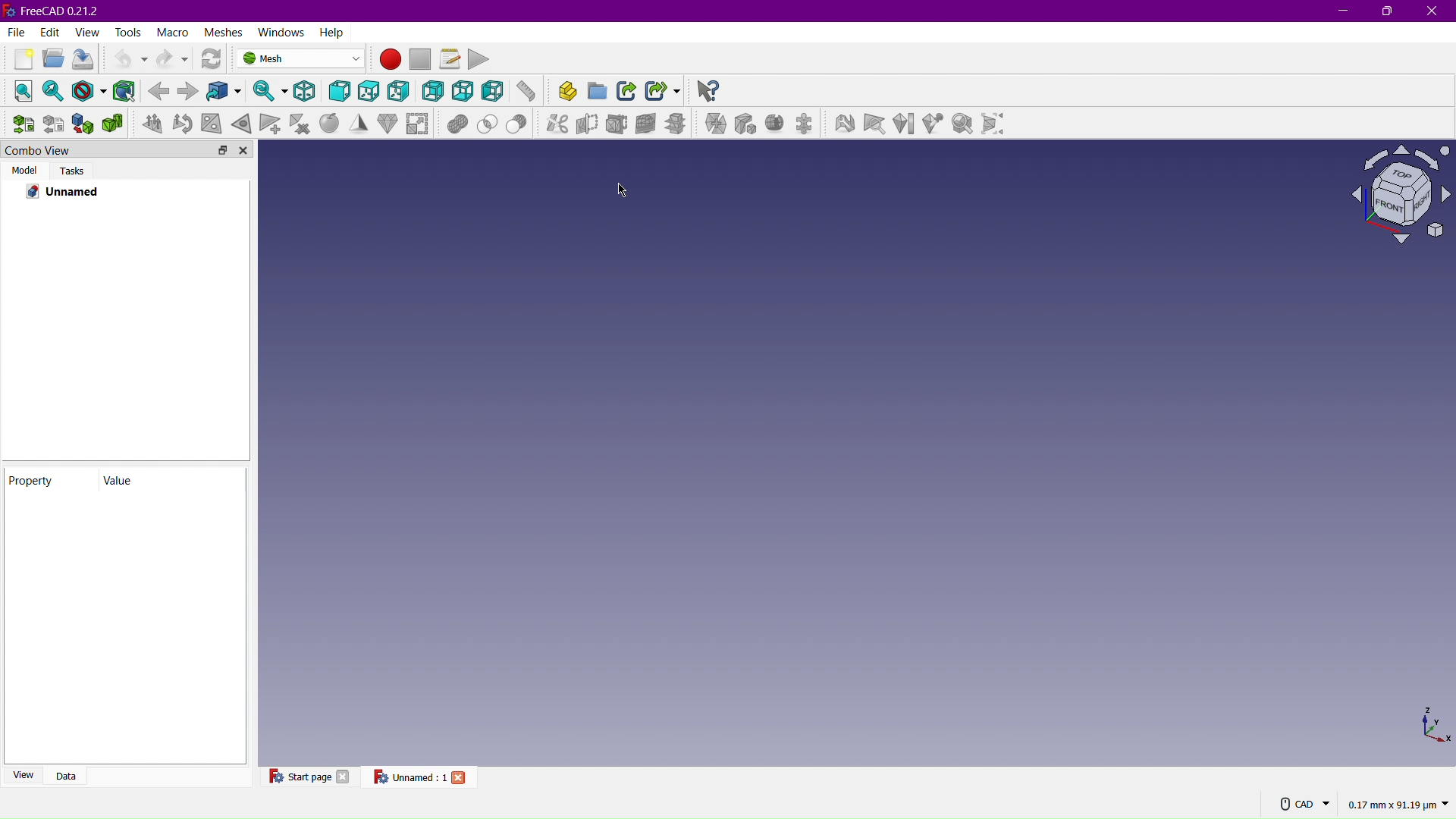 This screenshot has width=1456, height=819. Describe the element at coordinates (20, 774) in the screenshot. I see `View` at that location.